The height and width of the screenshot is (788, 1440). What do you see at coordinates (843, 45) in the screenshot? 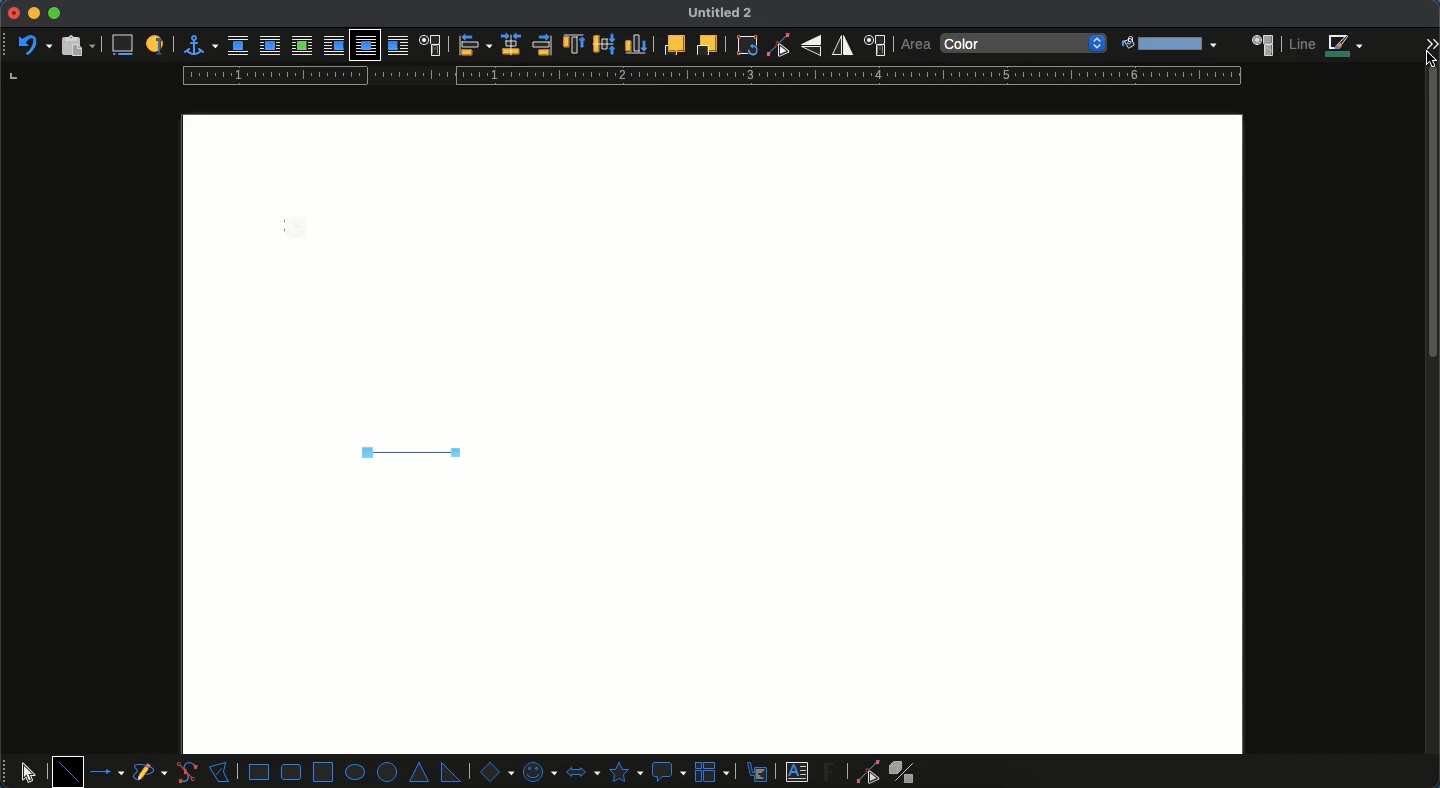
I see `flip horizontally` at bounding box center [843, 45].